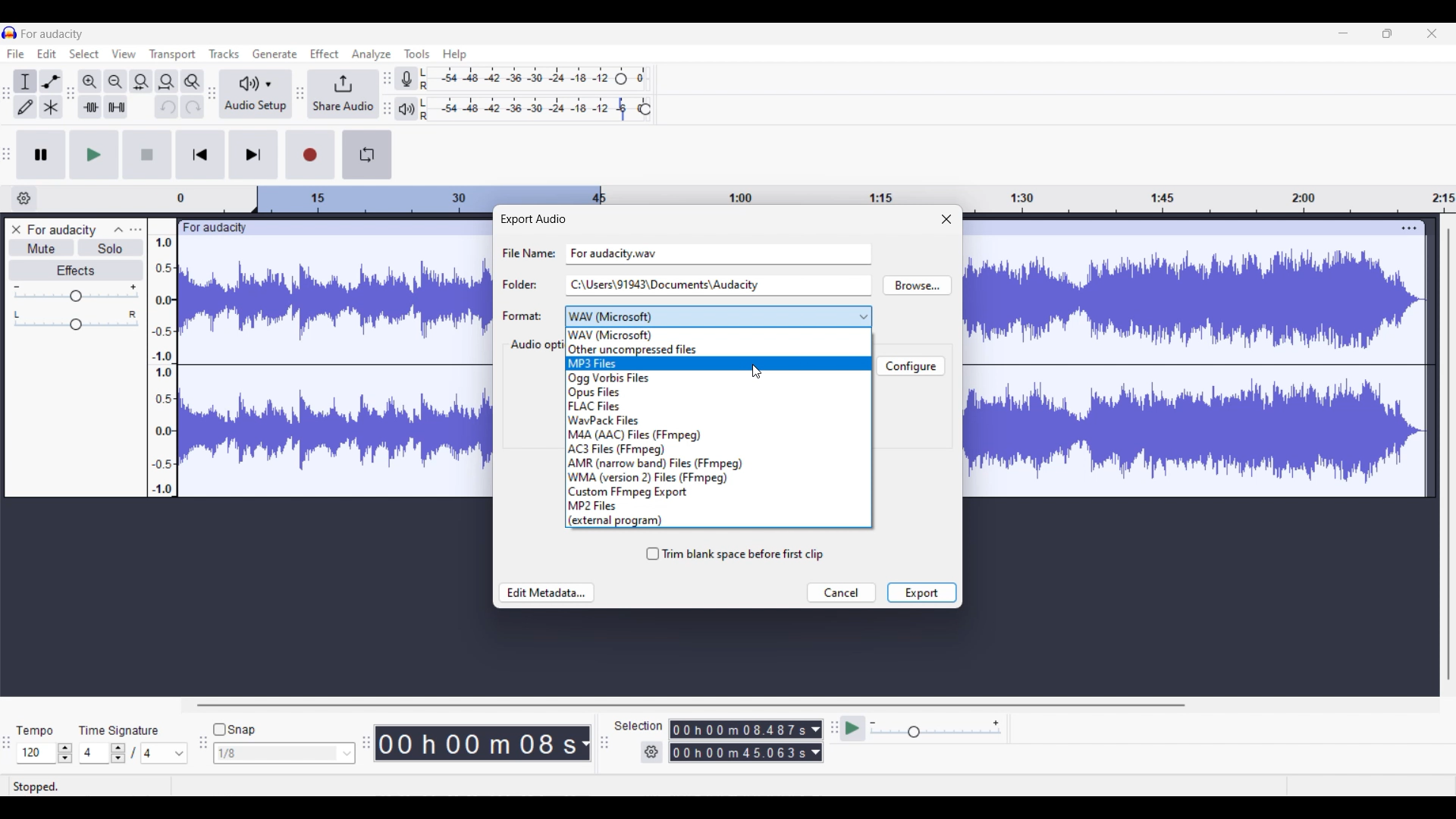  I want to click on Multi-tool, so click(51, 107).